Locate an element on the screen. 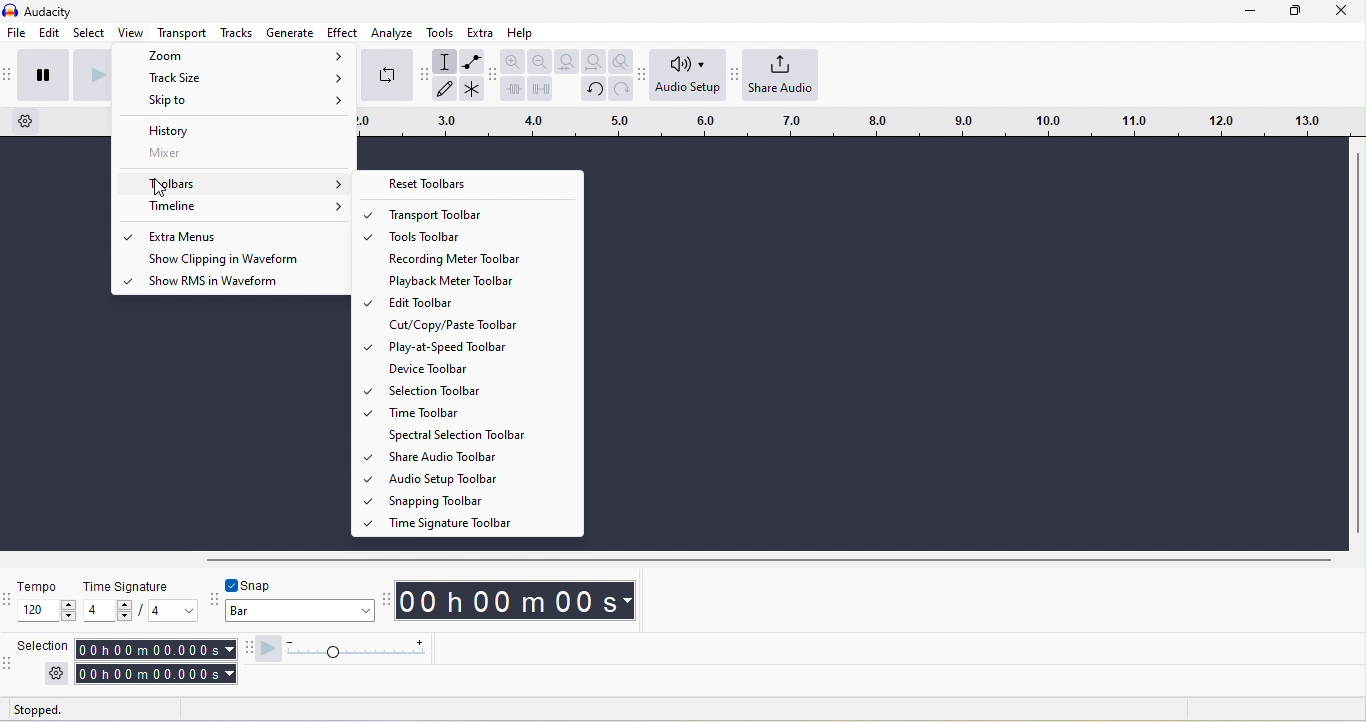 The height and width of the screenshot is (722, 1366). show RMS in waveform is located at coordinates (240, 283).